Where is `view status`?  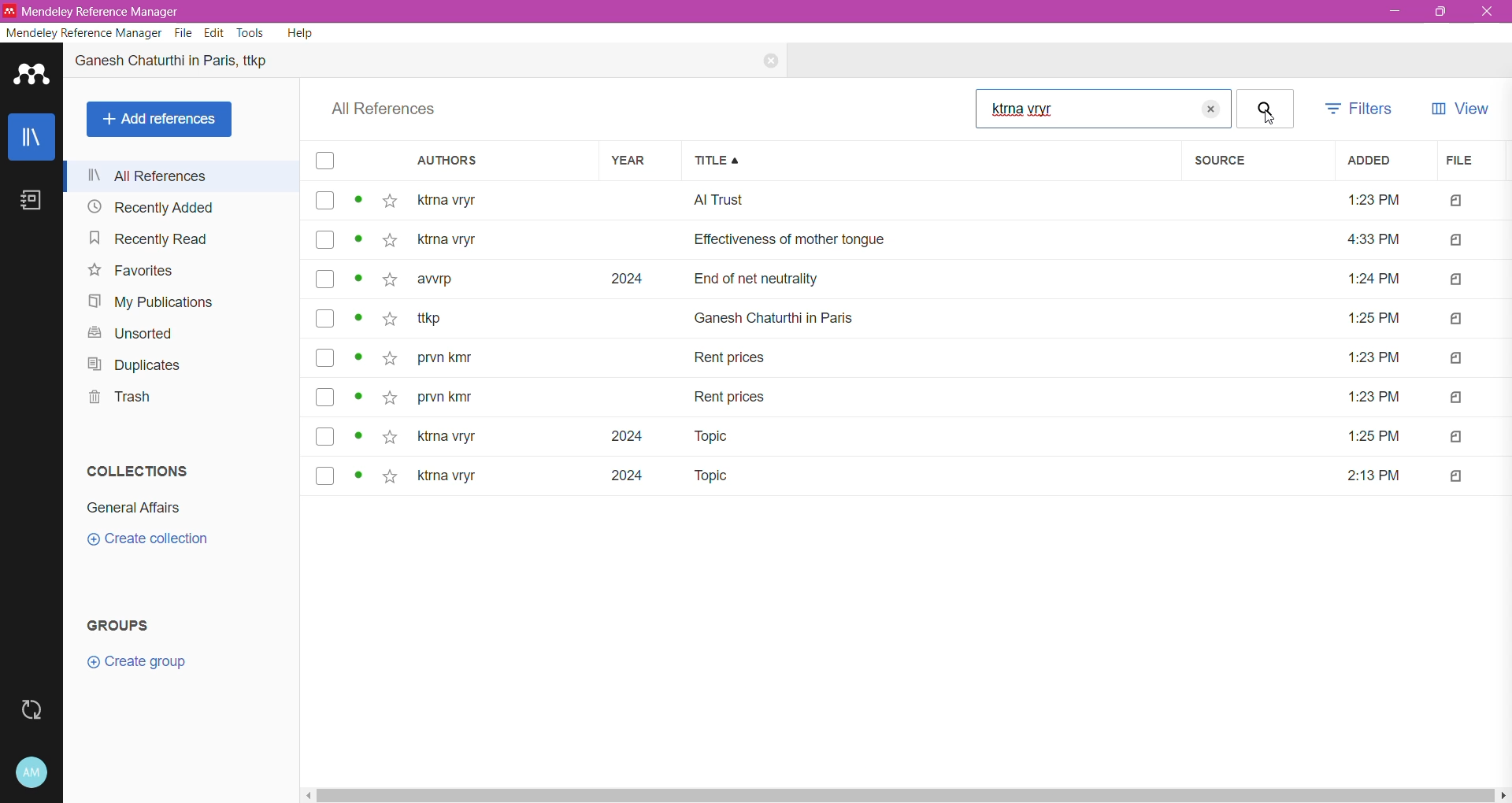 view status is located at coordinates (358, 437).